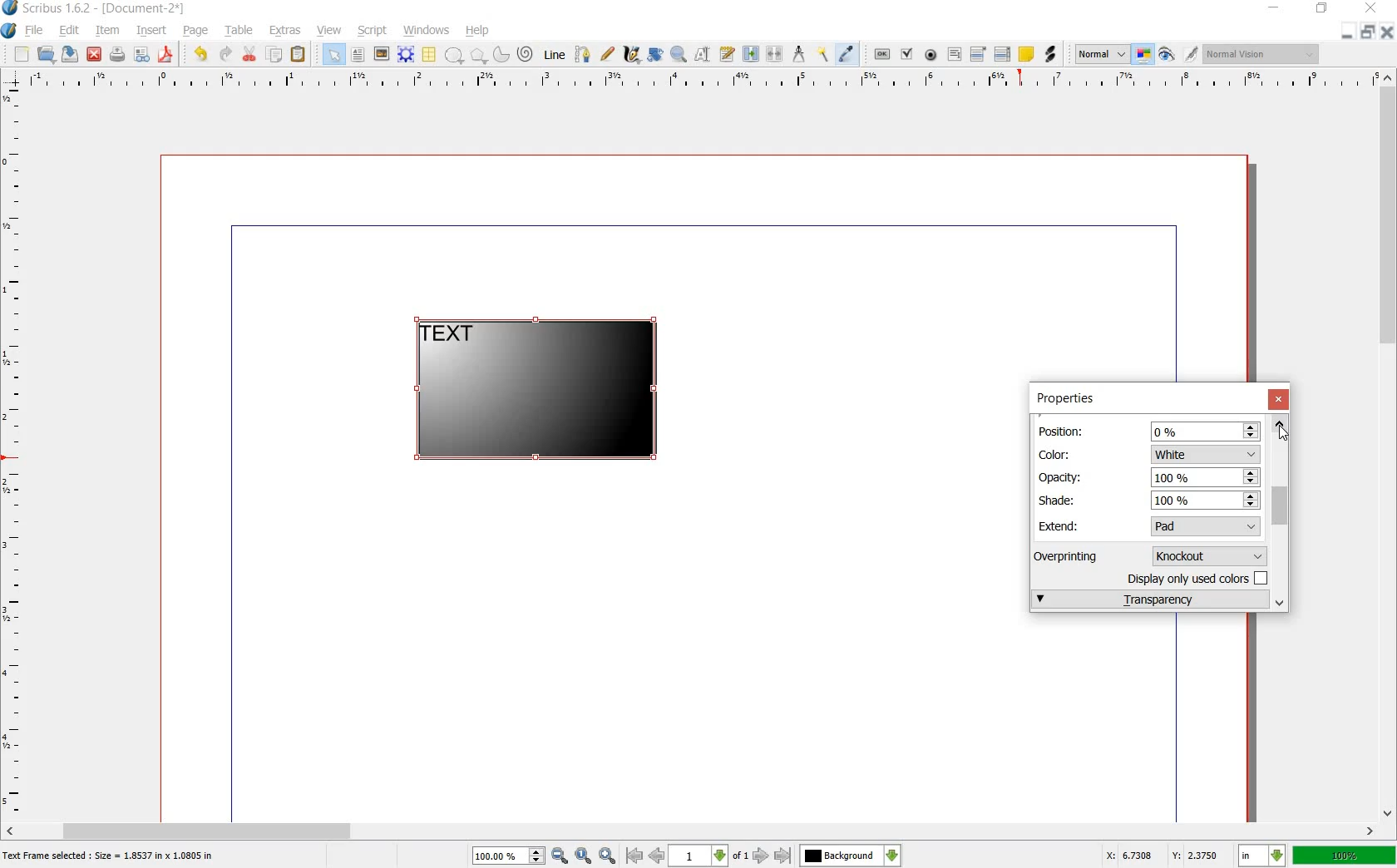  What do you see at coordinates (703, 55) in the screenshot?
I see `edit contents of frame` at bounding box center [703, 55].